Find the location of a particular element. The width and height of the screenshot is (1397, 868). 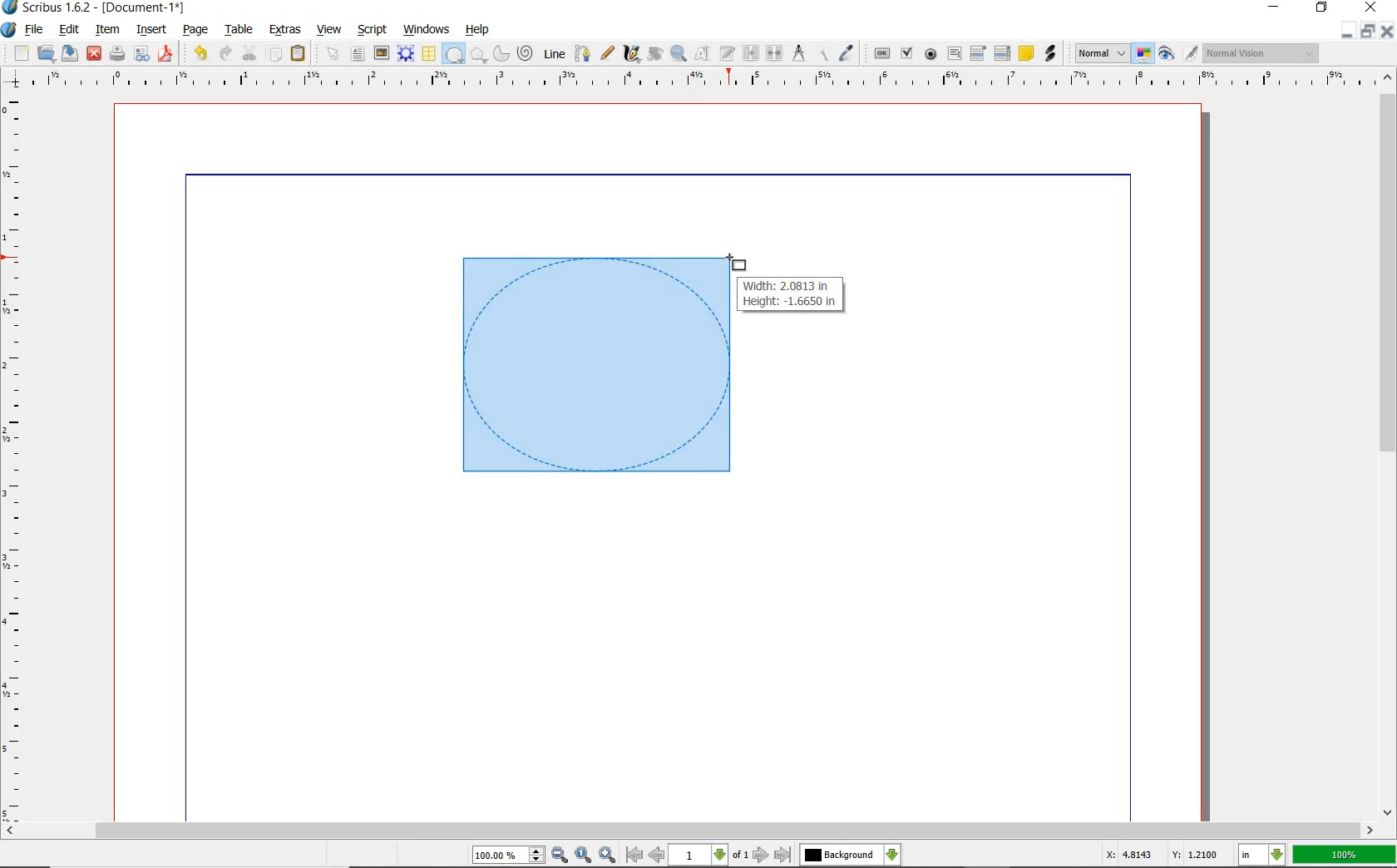

MINIMIZE is located at coordinates (1276, 6).